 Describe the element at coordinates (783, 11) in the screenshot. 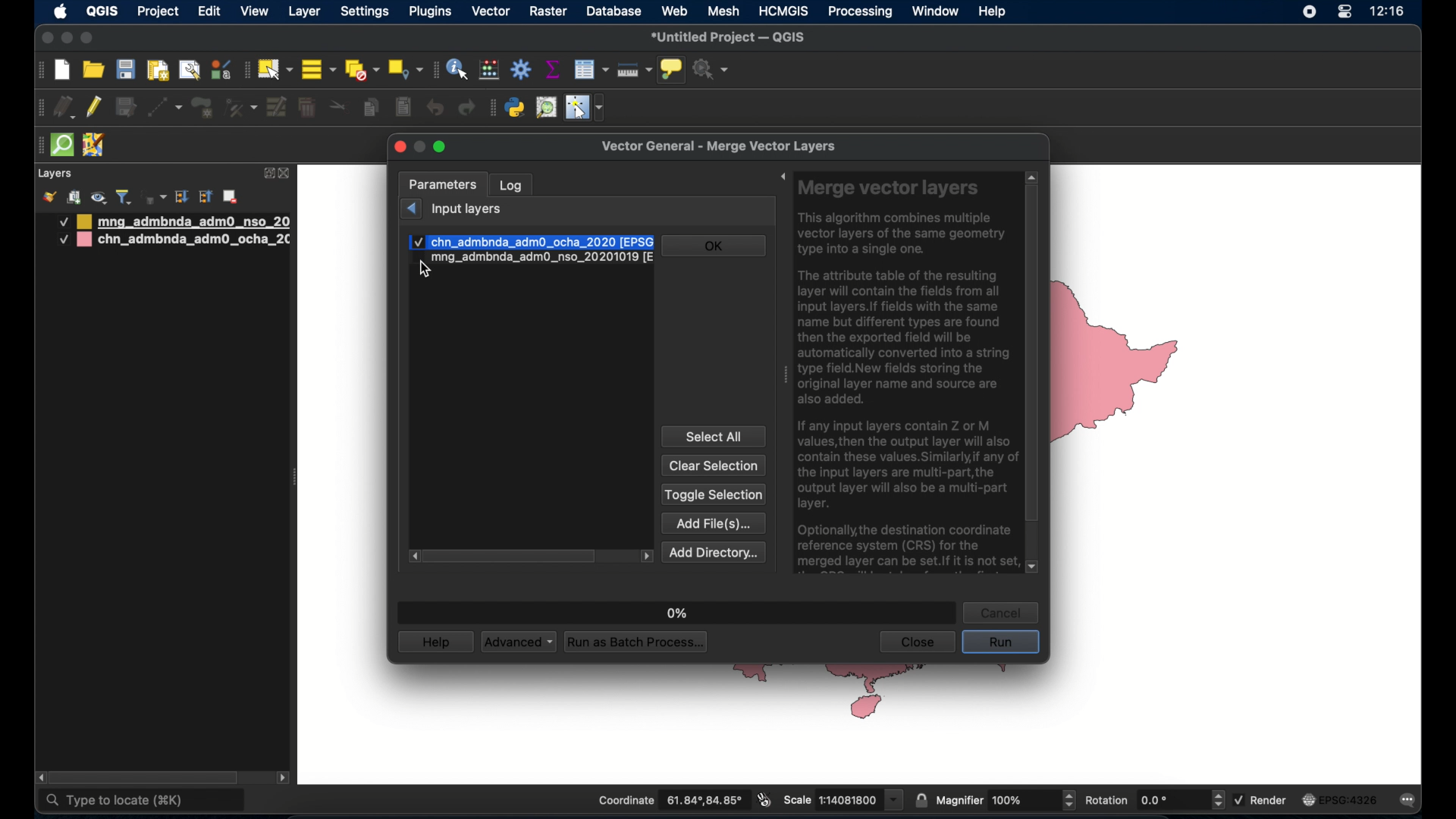

I see `HCMGIS` at that location.